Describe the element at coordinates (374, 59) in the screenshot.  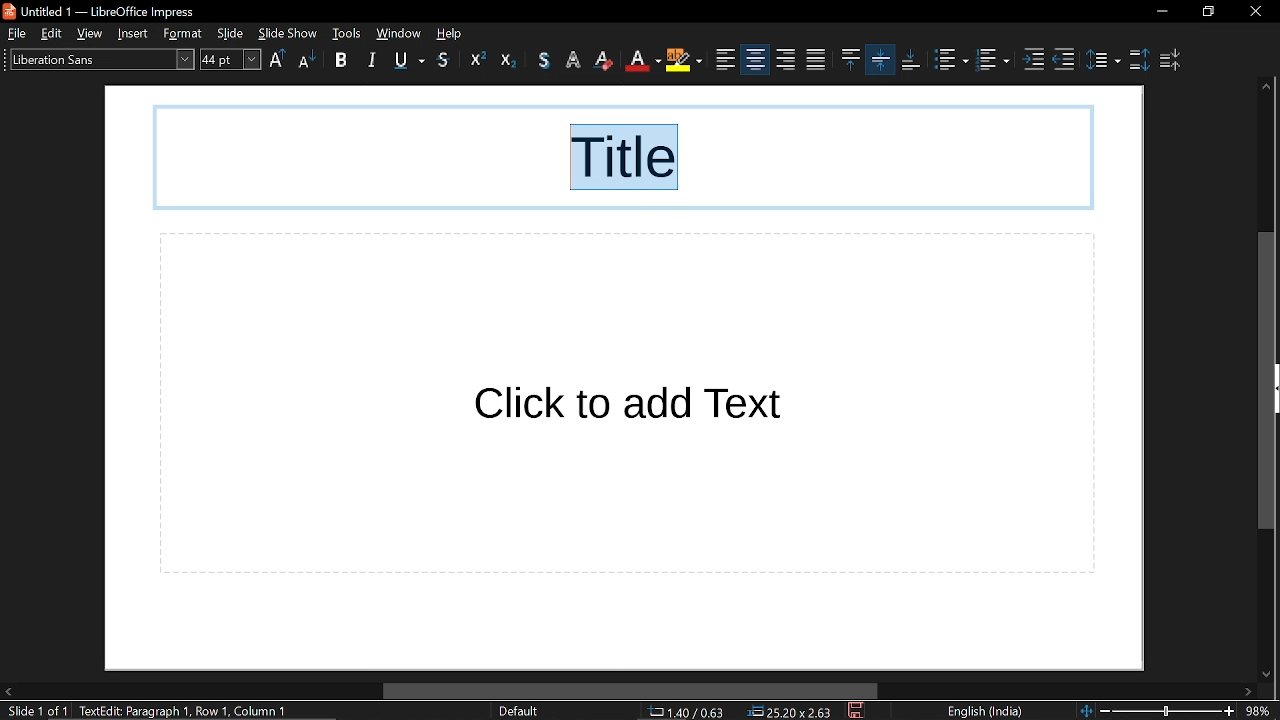
I see `italic` at that location.